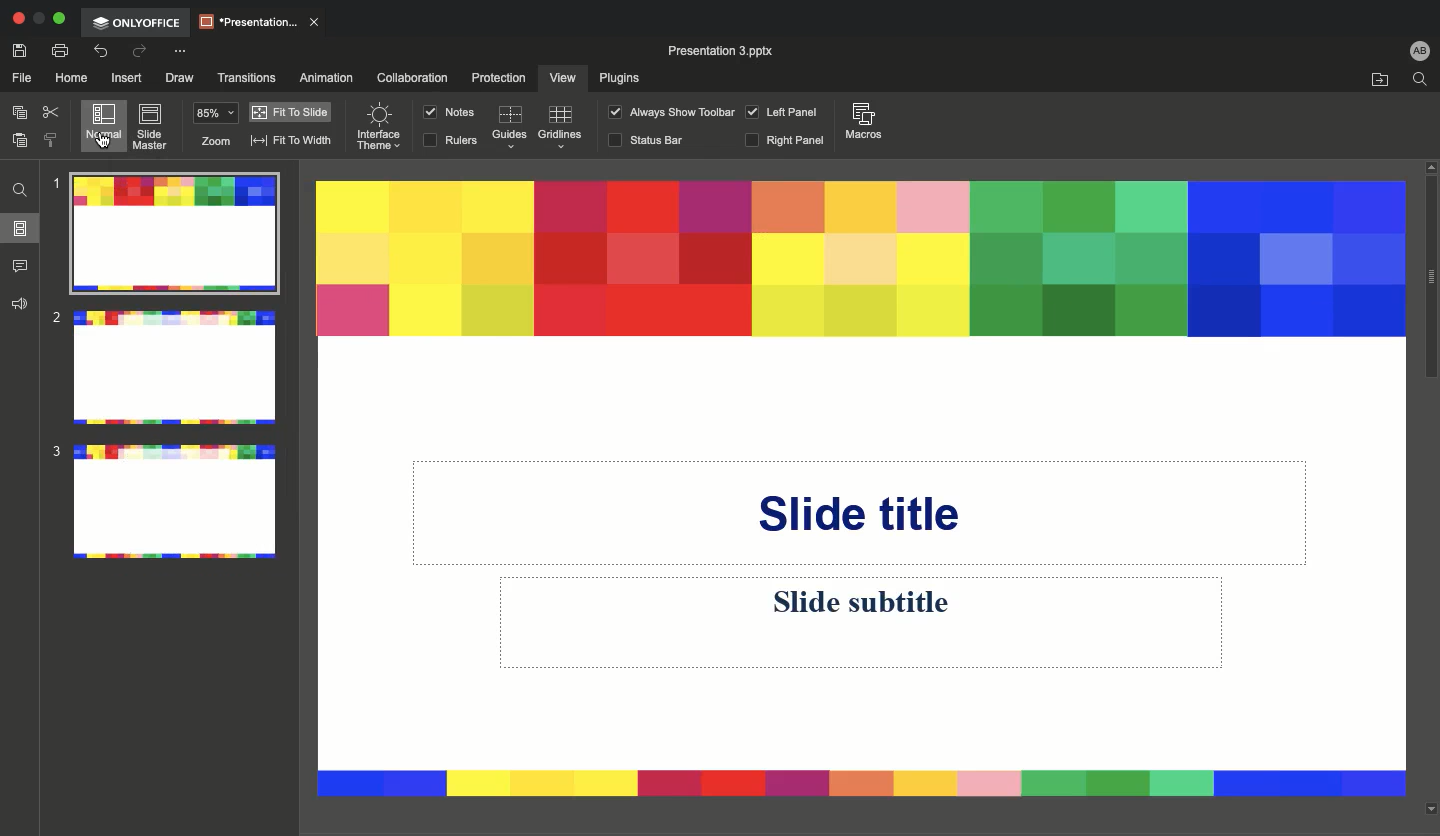 Image resolution: width=1440 pixels, height=836 pixels. What do you see at coordinates (377, 128) in the screenshot?
I see `Interface theme` at bounding box center [377, 128].